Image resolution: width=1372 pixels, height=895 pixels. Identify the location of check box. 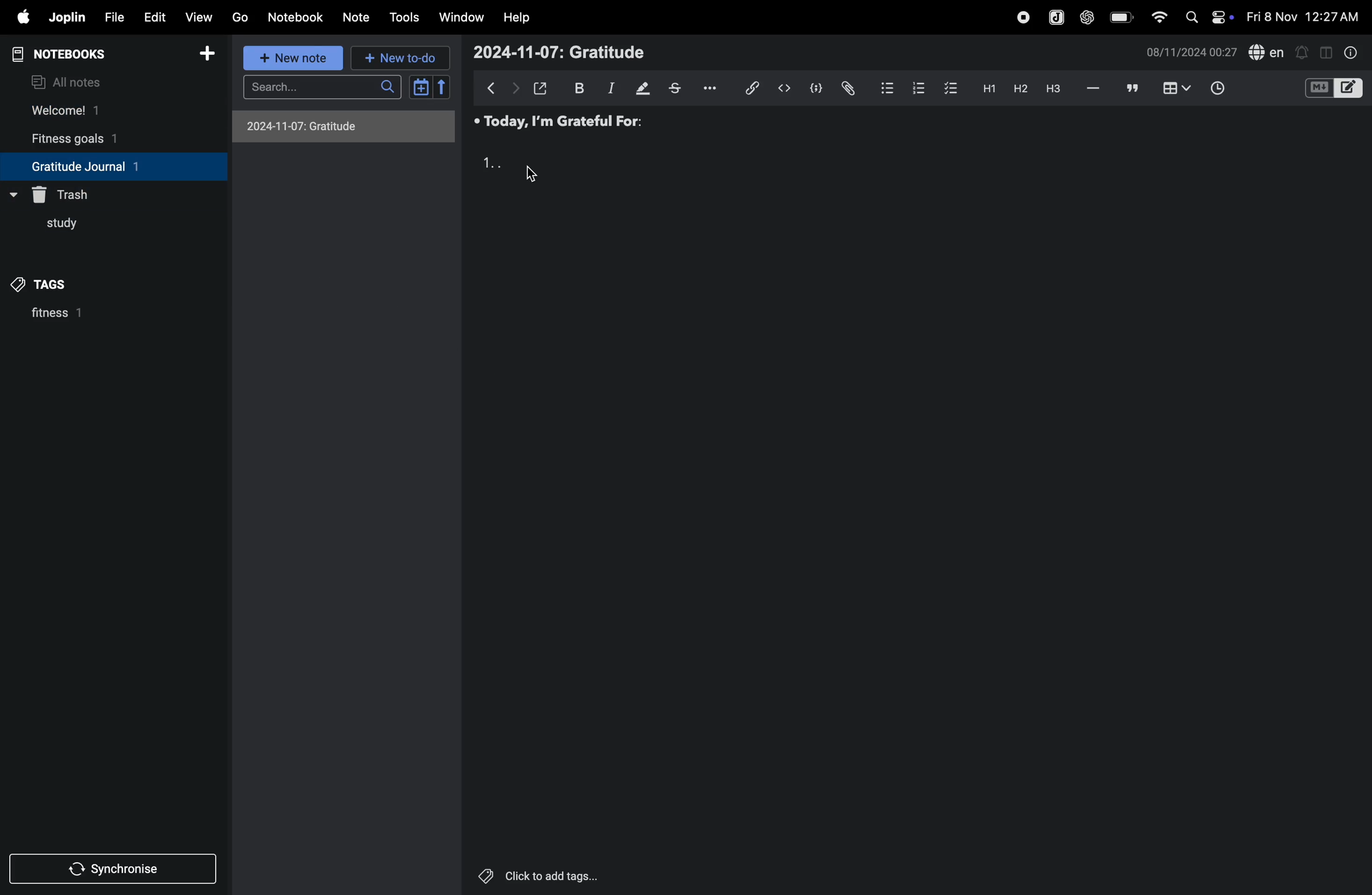
(948, 88).